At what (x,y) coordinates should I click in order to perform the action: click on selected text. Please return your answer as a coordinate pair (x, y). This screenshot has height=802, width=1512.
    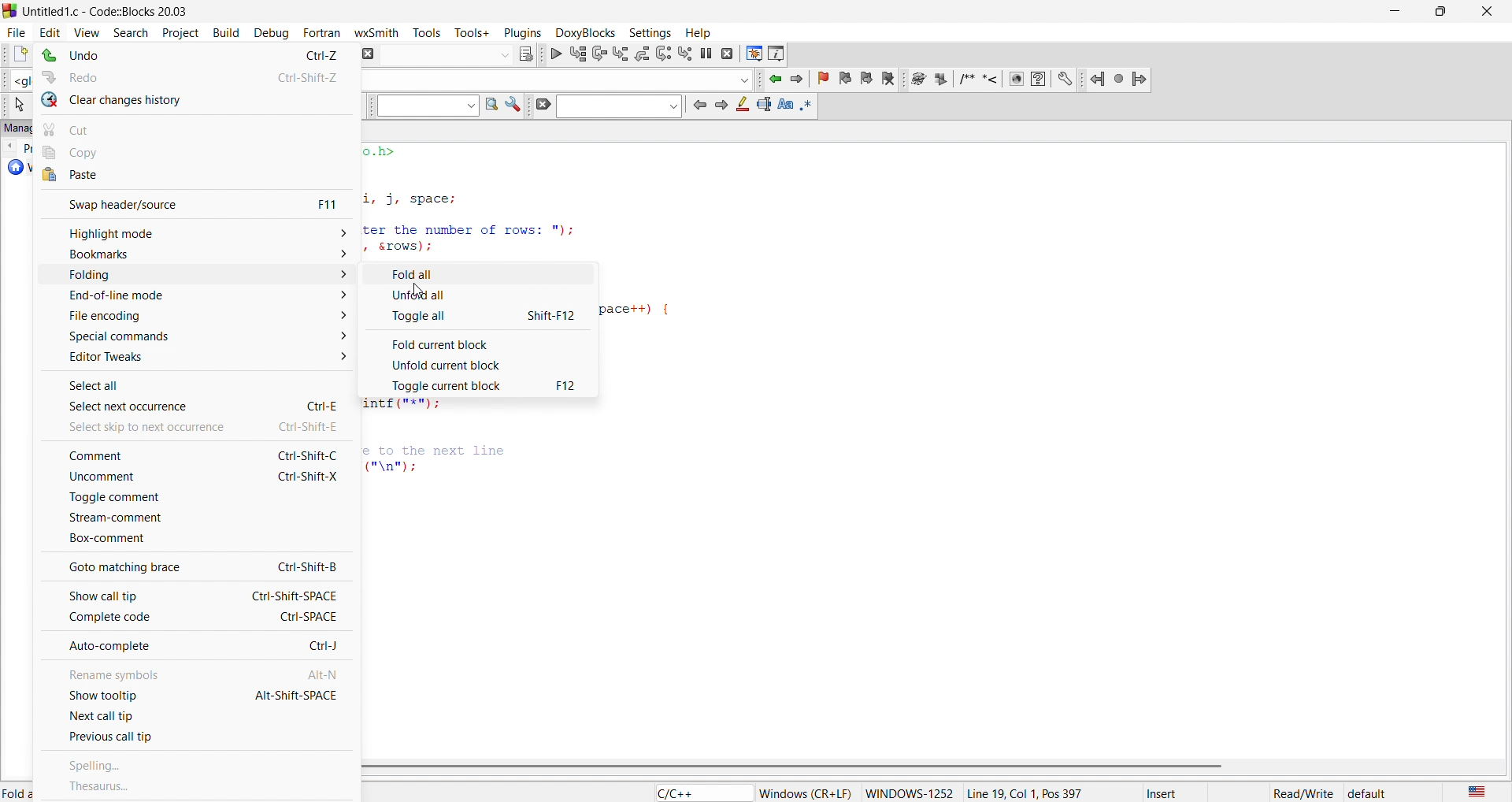
    Looking at the image, I should click on (764, 105).